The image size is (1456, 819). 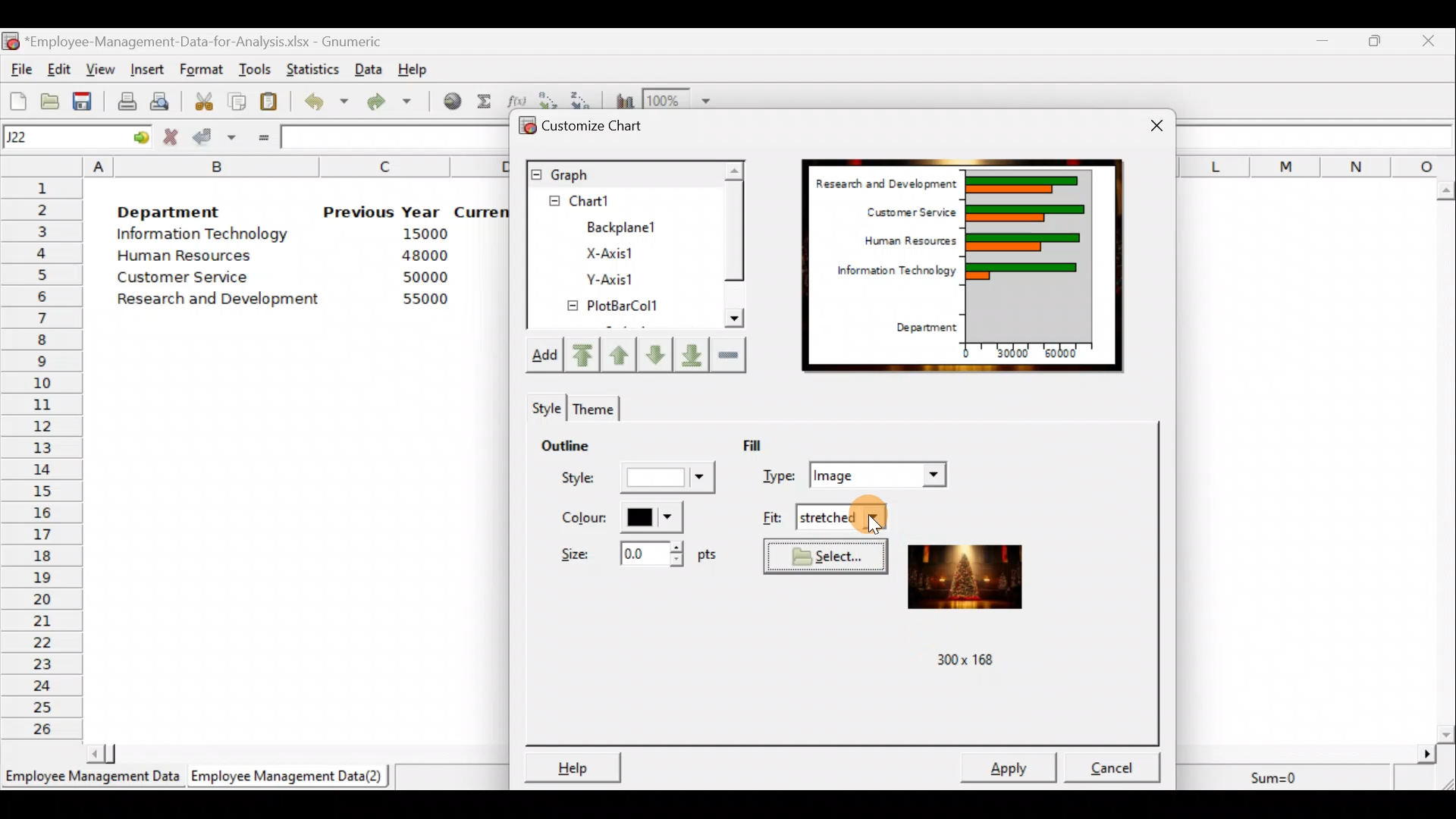 What do you see at coordinates (1112, 764) in the screenshot?
I see `Cancel` at bounding box center [1112, 764].